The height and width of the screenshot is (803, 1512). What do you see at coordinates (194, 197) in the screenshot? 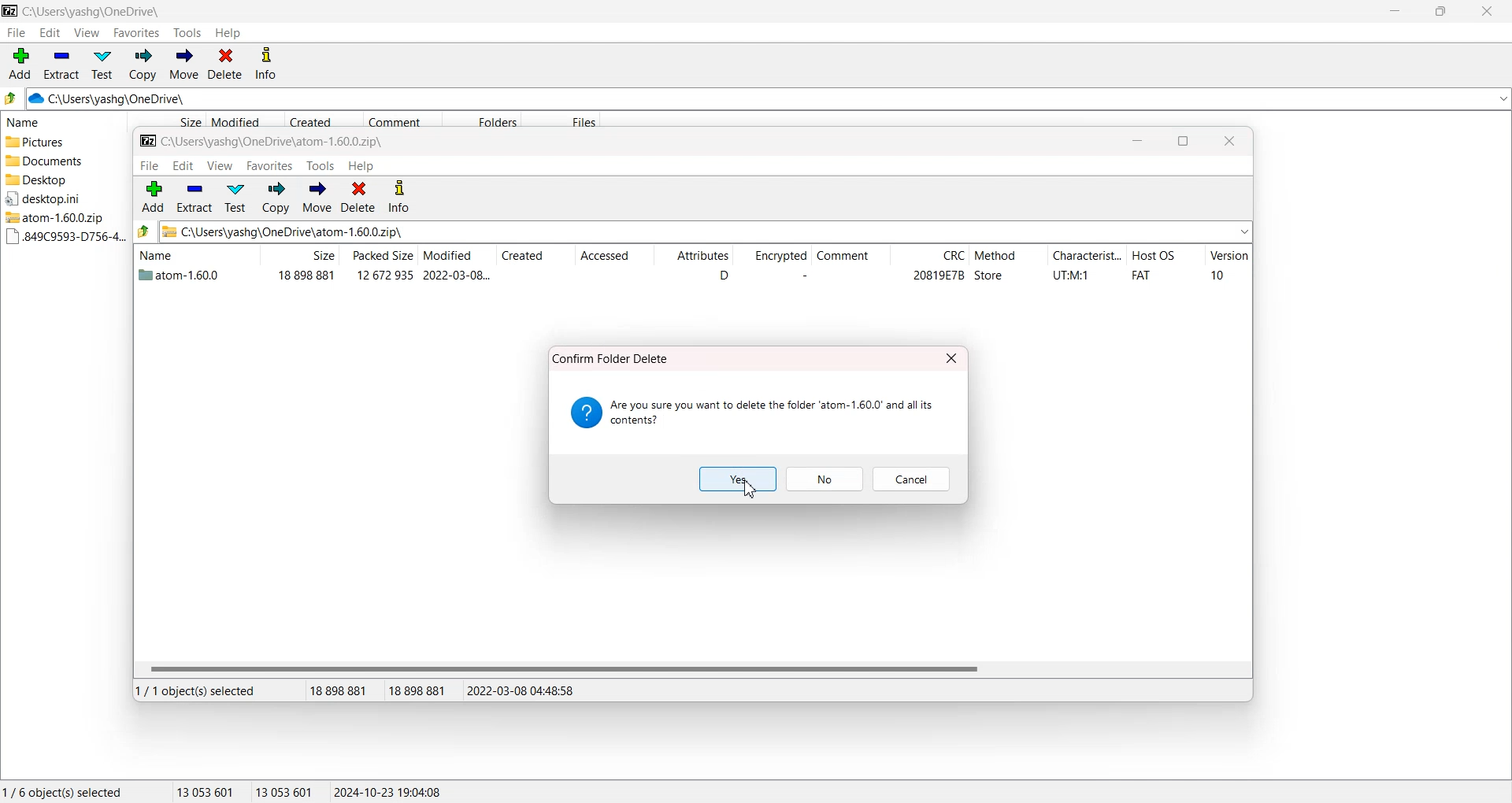
I see `extract` at bounding box center [194, 197].